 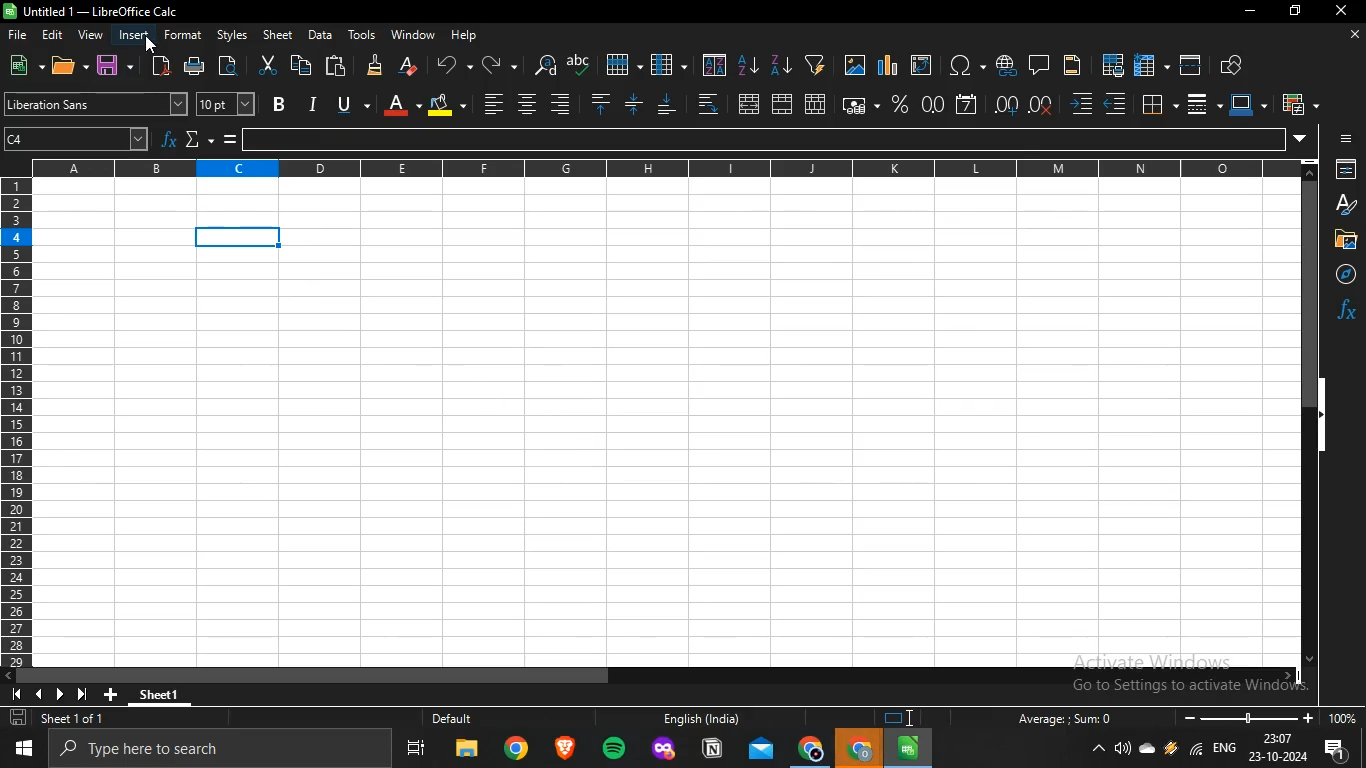 What do you see at coordinates (20, 64) in the screenshot?
I see `new ` at bounding box center [20, 64].